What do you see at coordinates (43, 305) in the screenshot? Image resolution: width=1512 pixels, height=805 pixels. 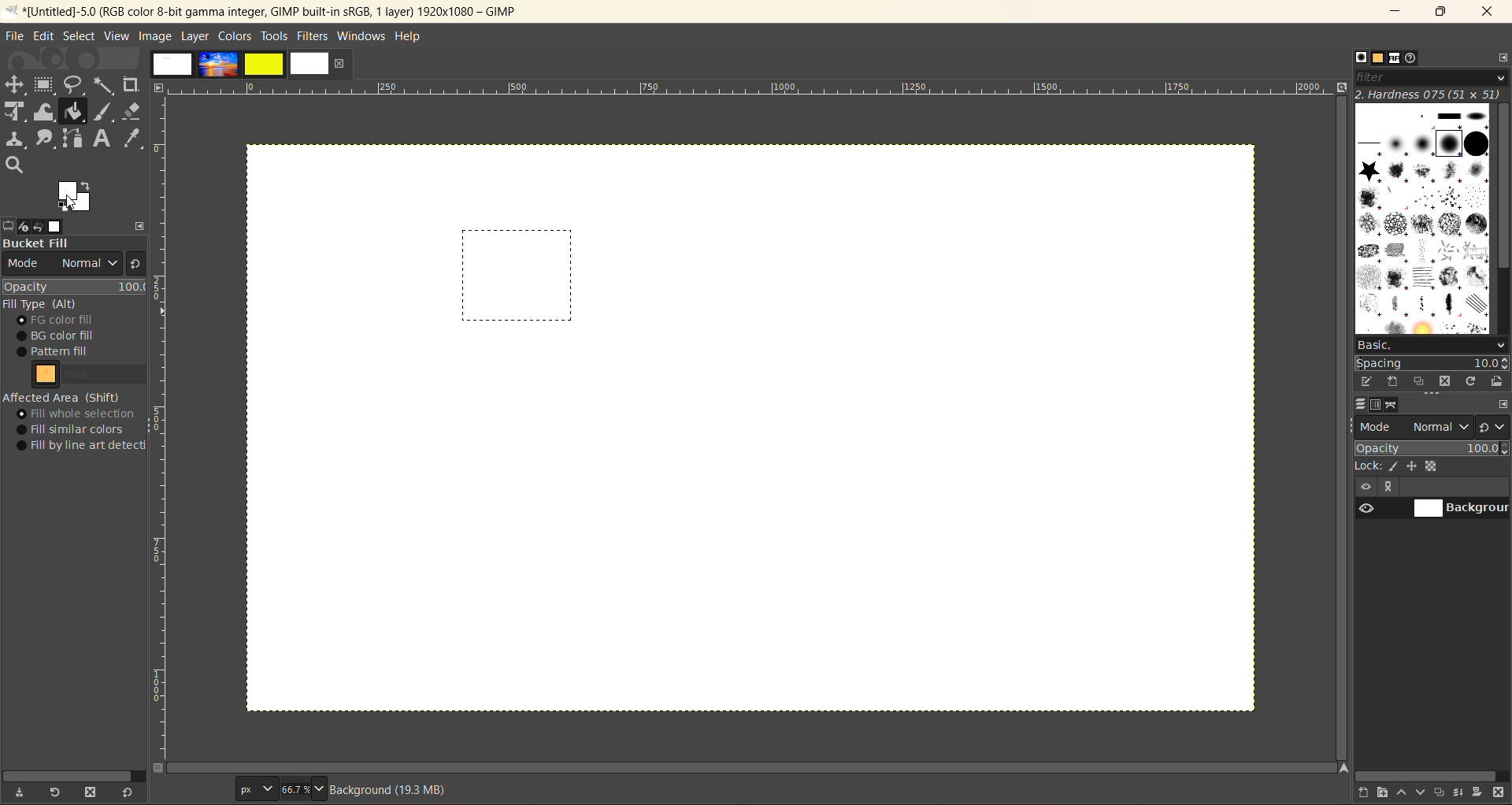 I see `fill type` at bounding box center [43, 305].